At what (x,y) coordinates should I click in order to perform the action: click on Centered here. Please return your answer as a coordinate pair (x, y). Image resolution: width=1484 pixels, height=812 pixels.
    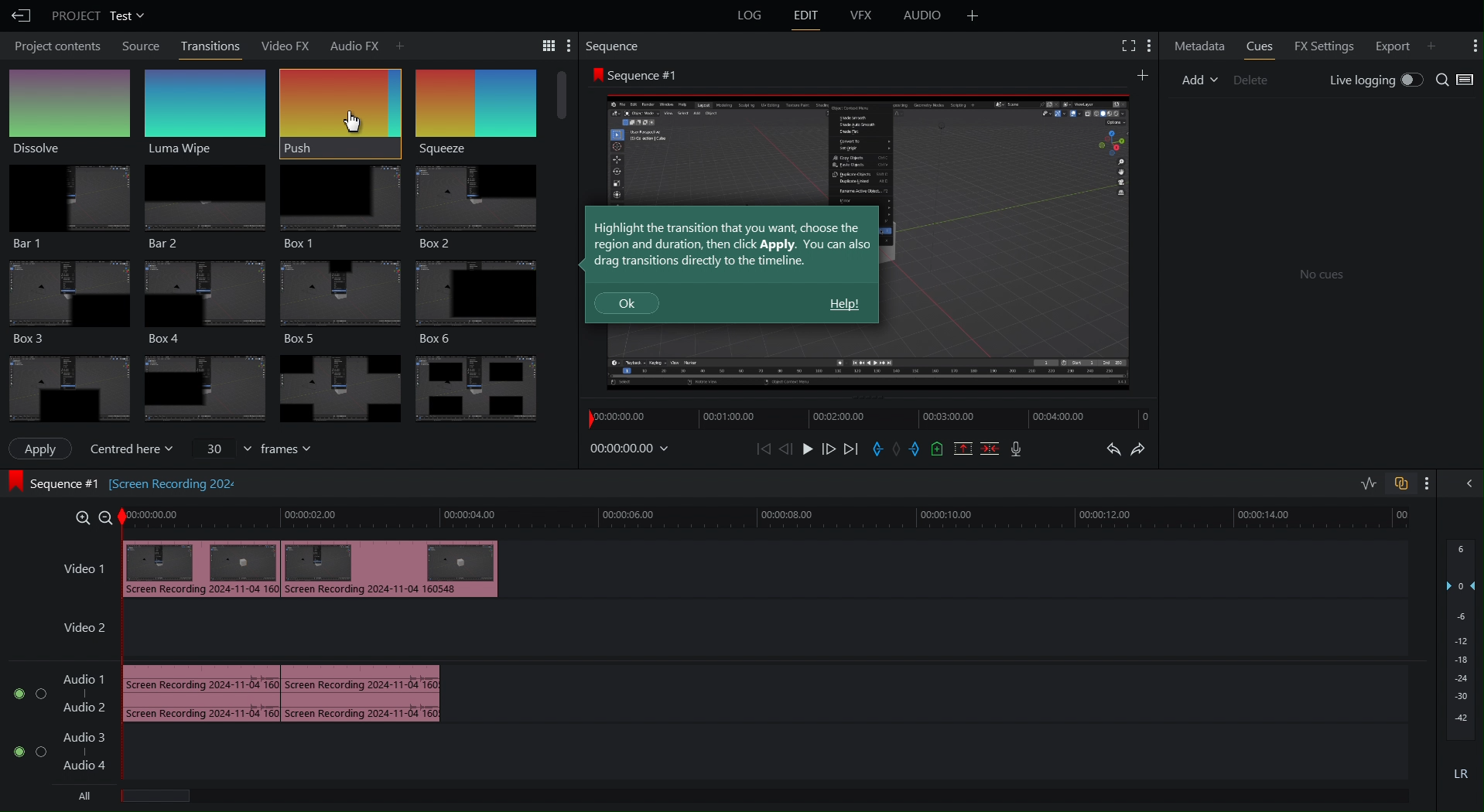
    Looking at the image, I should click on (135, 446).